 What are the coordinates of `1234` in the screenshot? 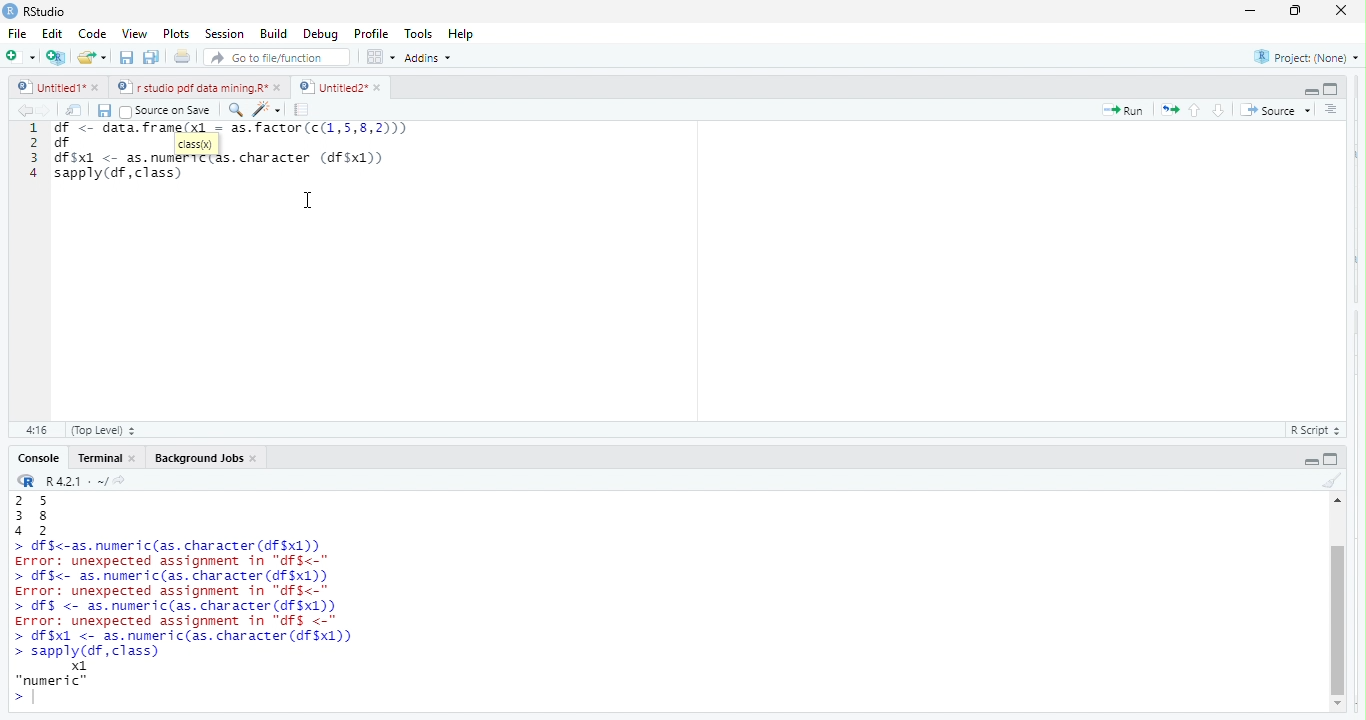 It's located at (26, 155).